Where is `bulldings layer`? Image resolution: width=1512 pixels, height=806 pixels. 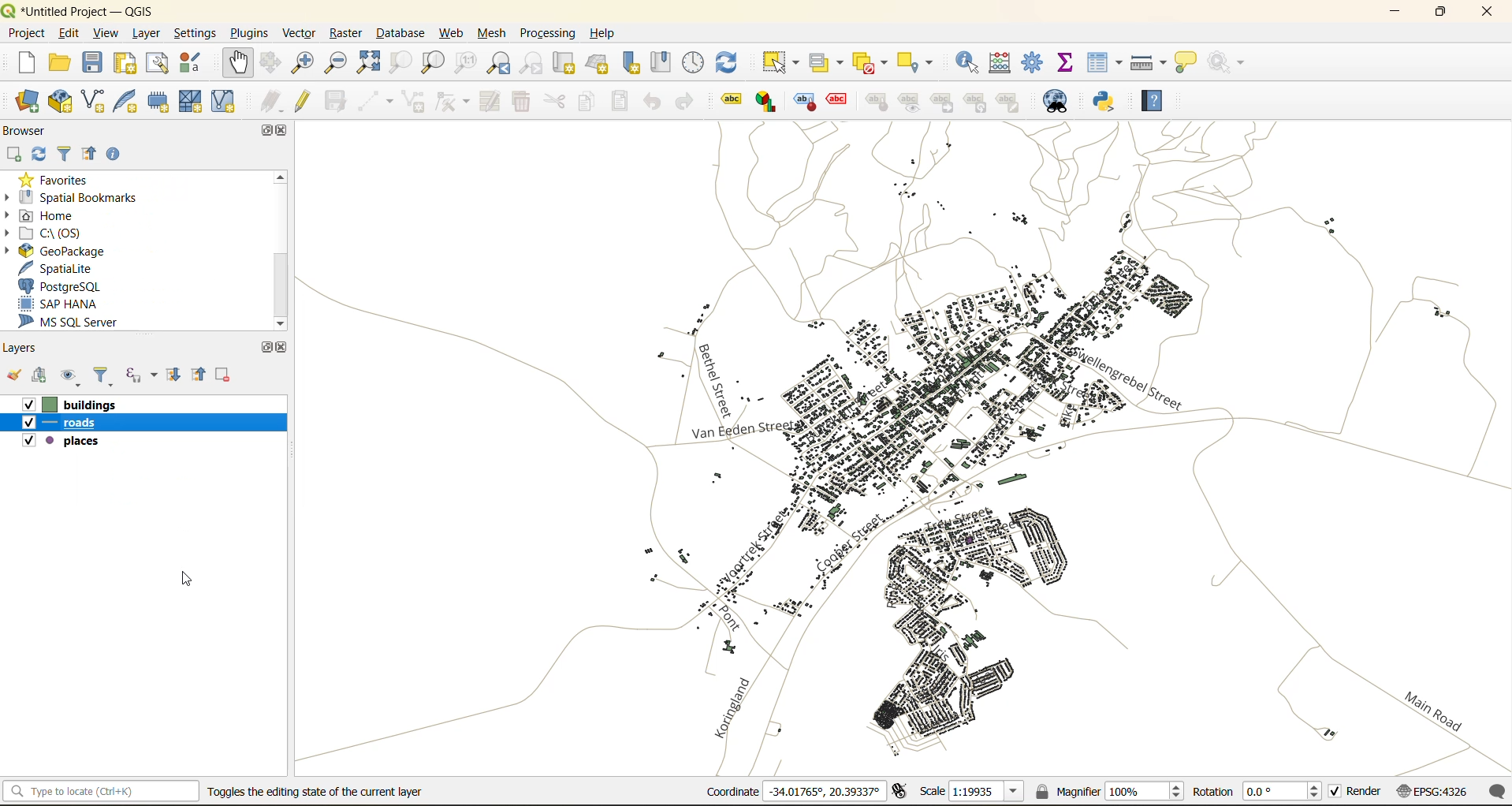 bulldings layer is located at coordinates (80, 403).